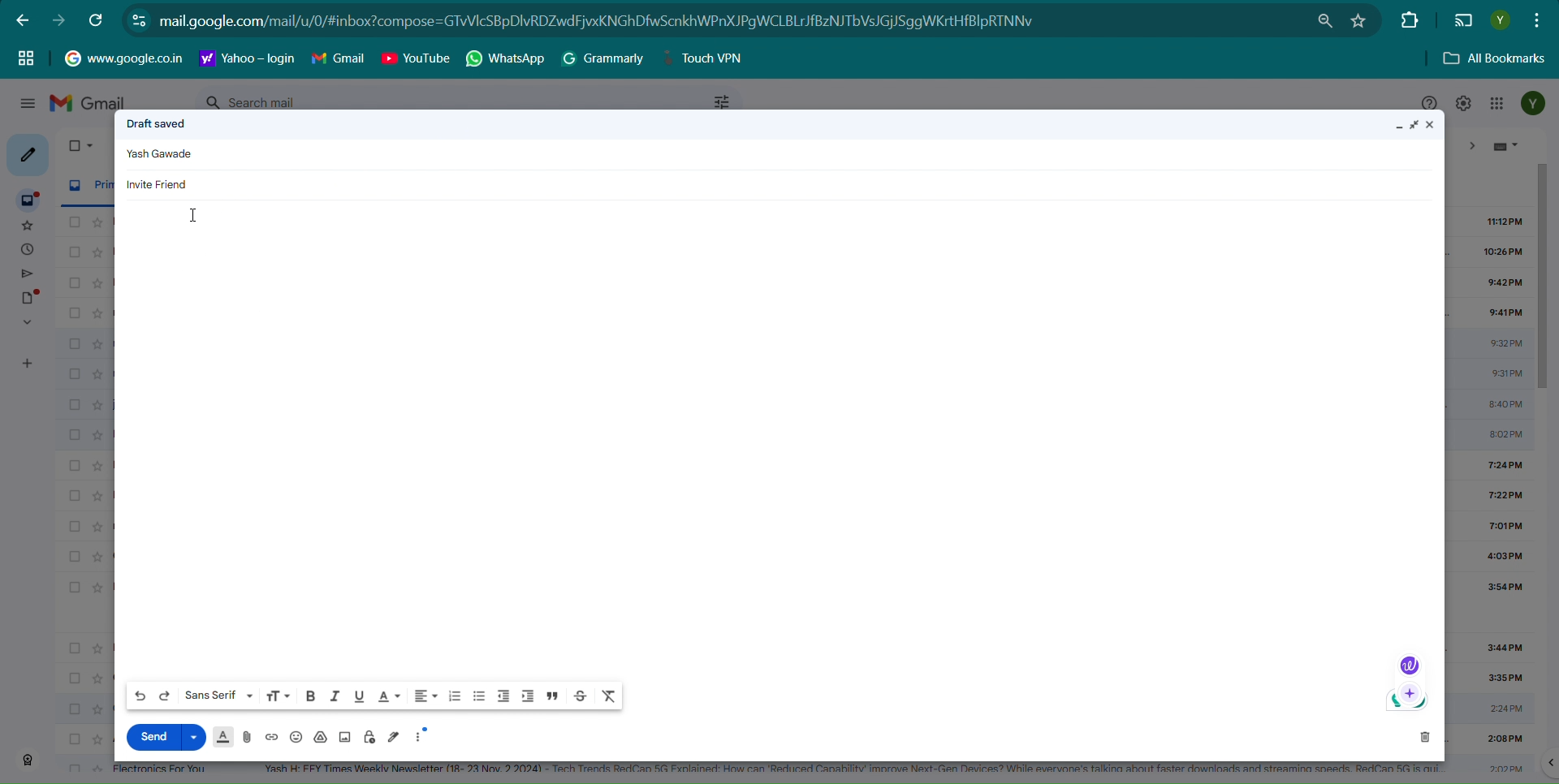  What do you see at coordinates (165, 696) in the screenshot?
I see `Redo` at bounding box center [165, 696].